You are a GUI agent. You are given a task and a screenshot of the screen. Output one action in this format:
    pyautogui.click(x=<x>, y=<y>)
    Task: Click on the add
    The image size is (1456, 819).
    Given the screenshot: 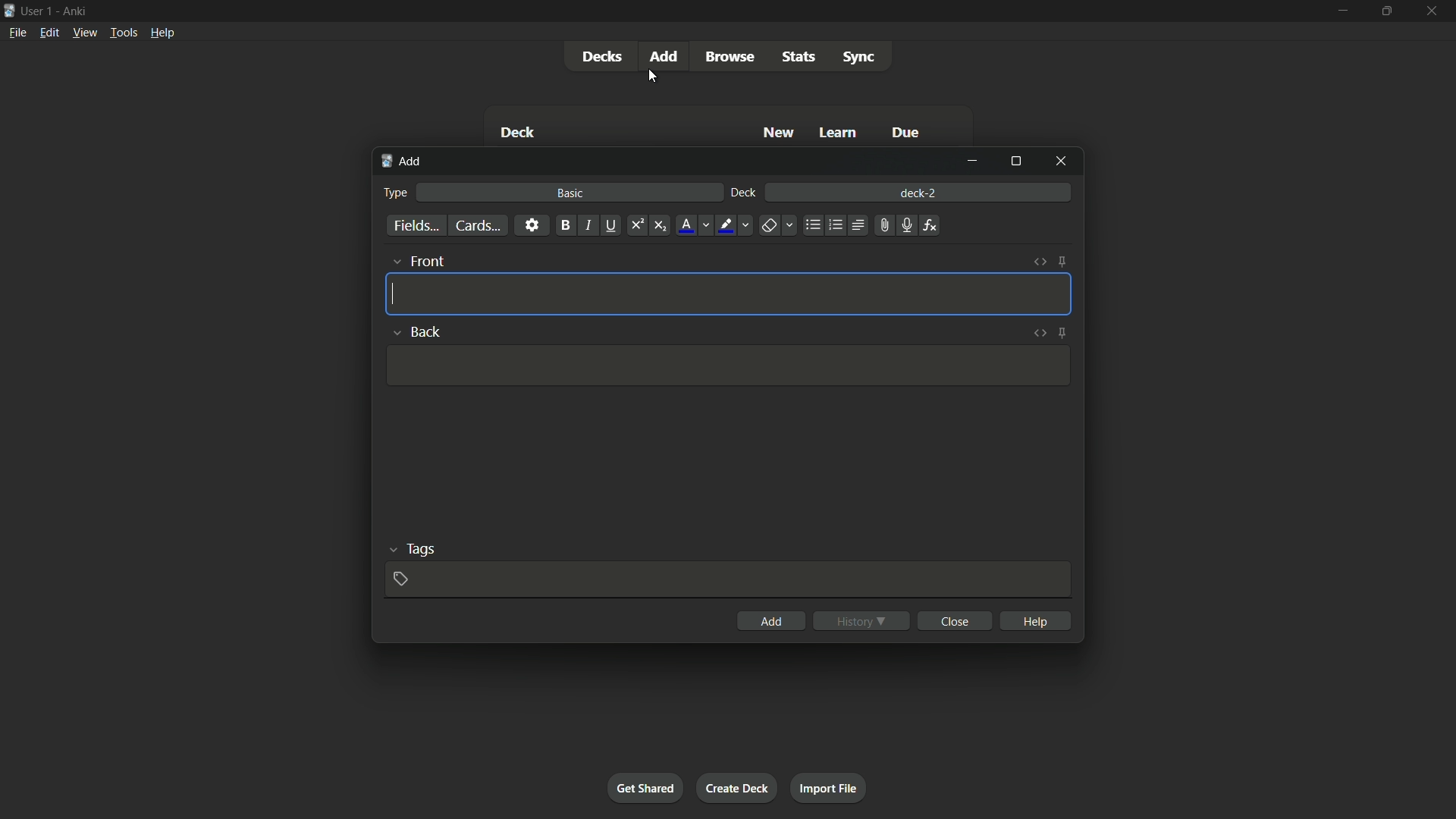 What is the action you would take?
    pyautogui.click(x=403, y=163)
    